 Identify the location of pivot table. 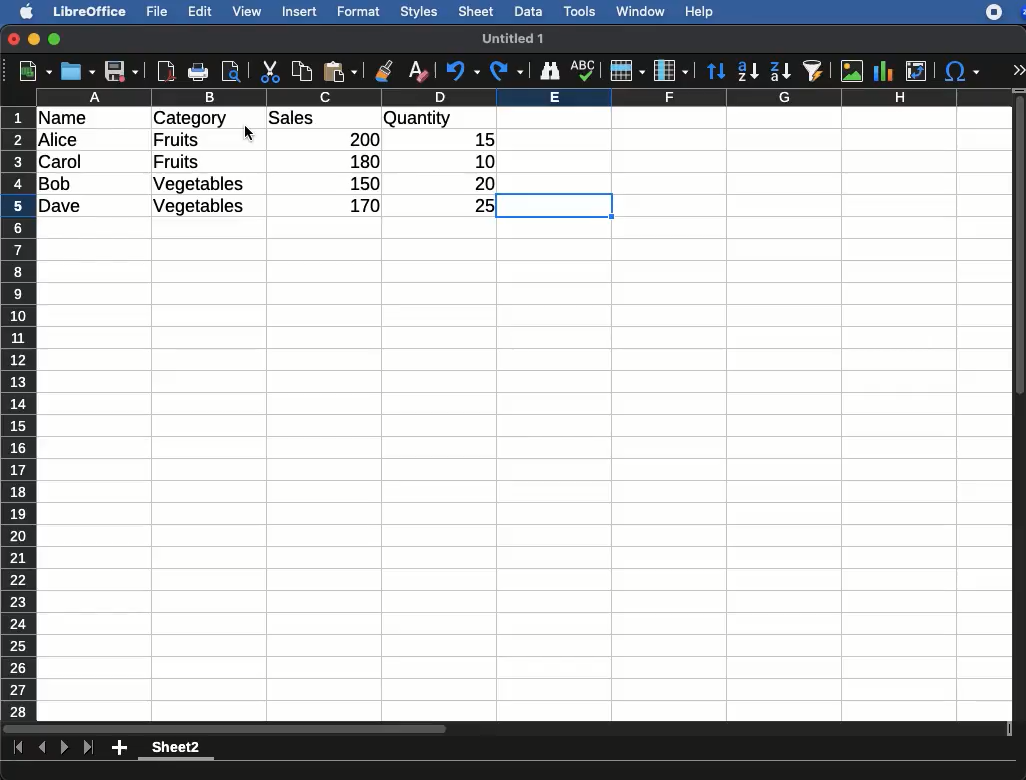
(916, 71).